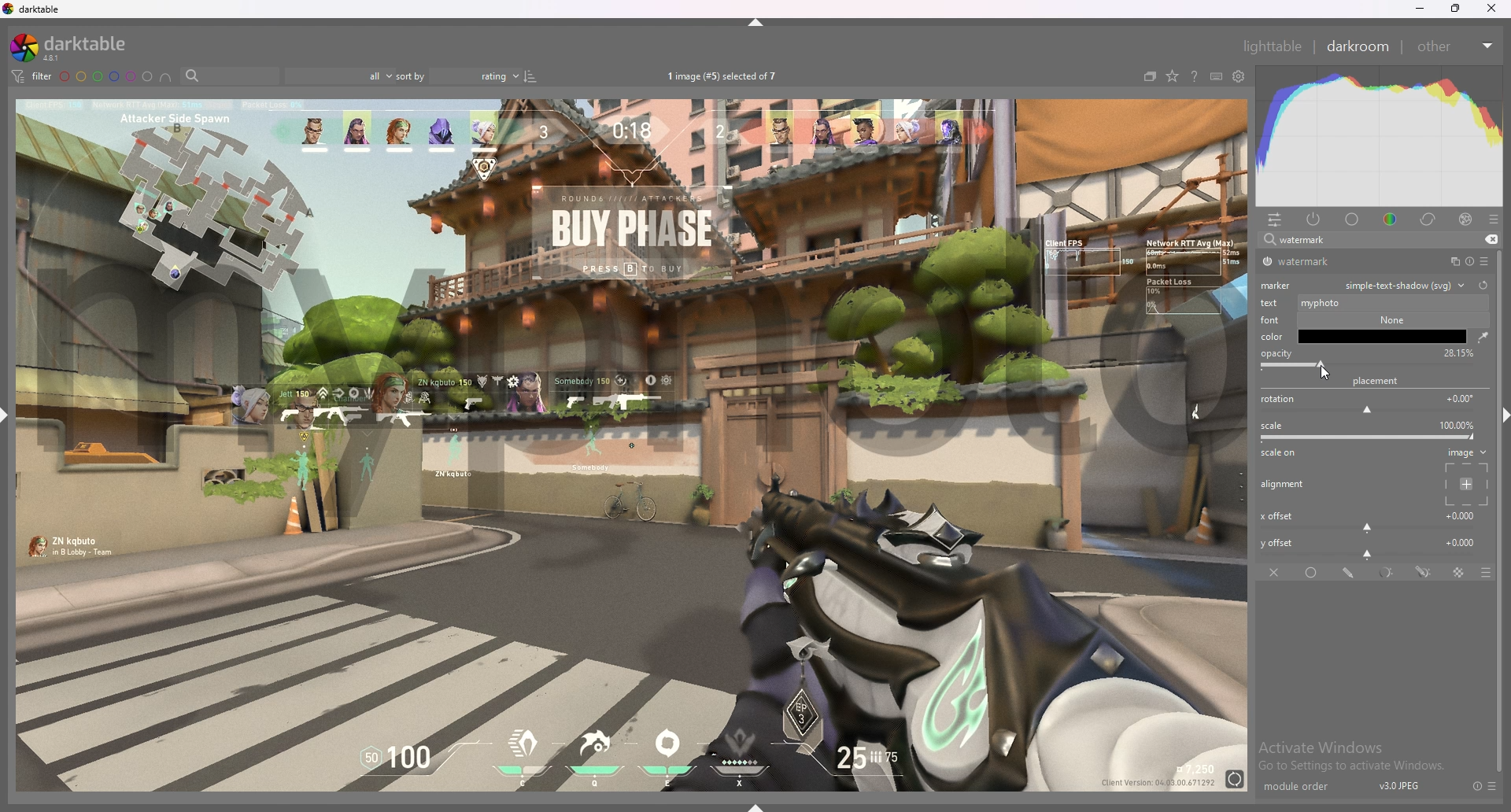  What do you see at coordinates (1387, 319) in the screenshot?
I see `None` at bounding box center [1387, 319].